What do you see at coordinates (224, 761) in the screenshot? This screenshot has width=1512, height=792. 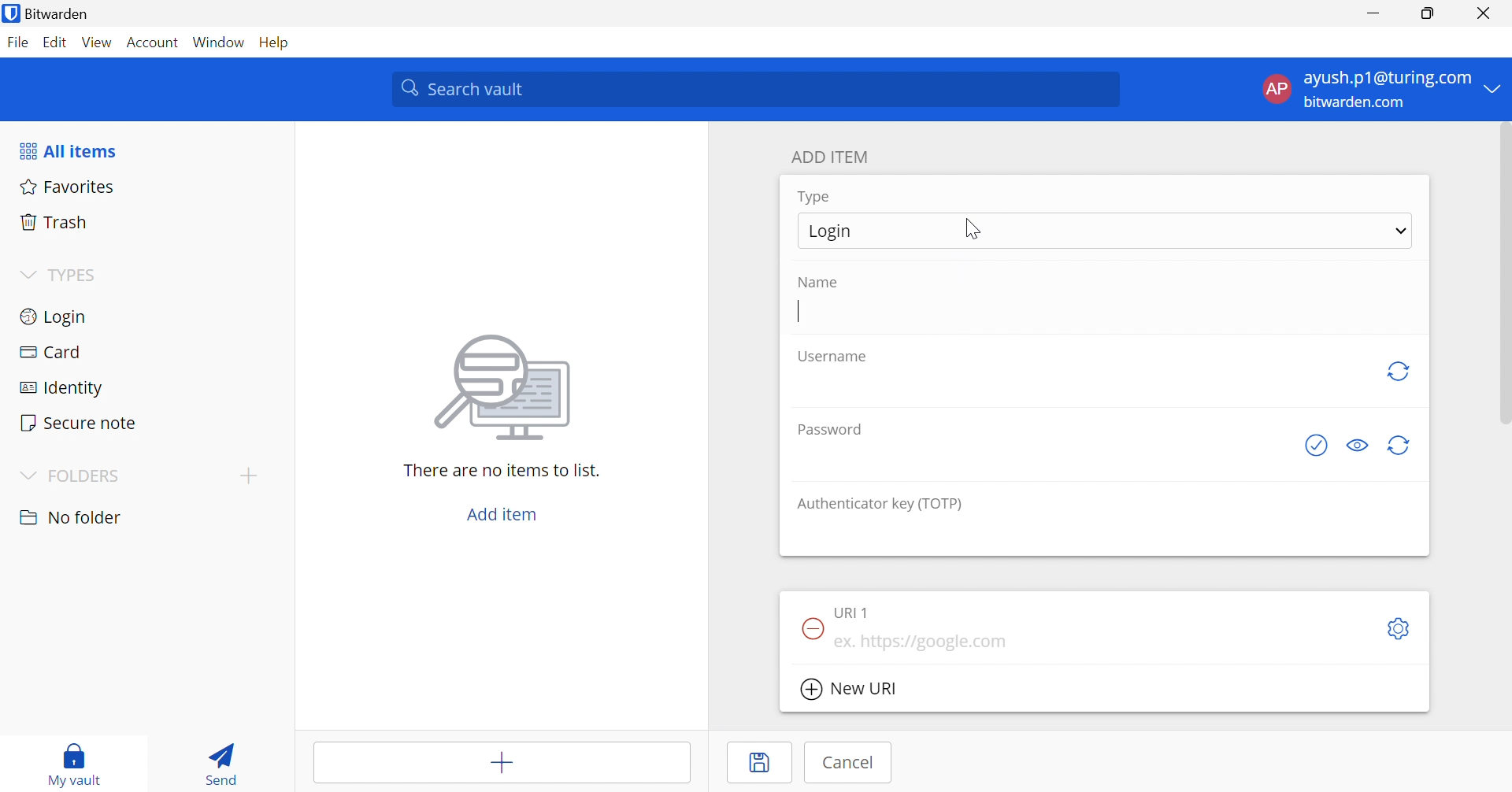 I see `Send` at bounding box center [224, 761].